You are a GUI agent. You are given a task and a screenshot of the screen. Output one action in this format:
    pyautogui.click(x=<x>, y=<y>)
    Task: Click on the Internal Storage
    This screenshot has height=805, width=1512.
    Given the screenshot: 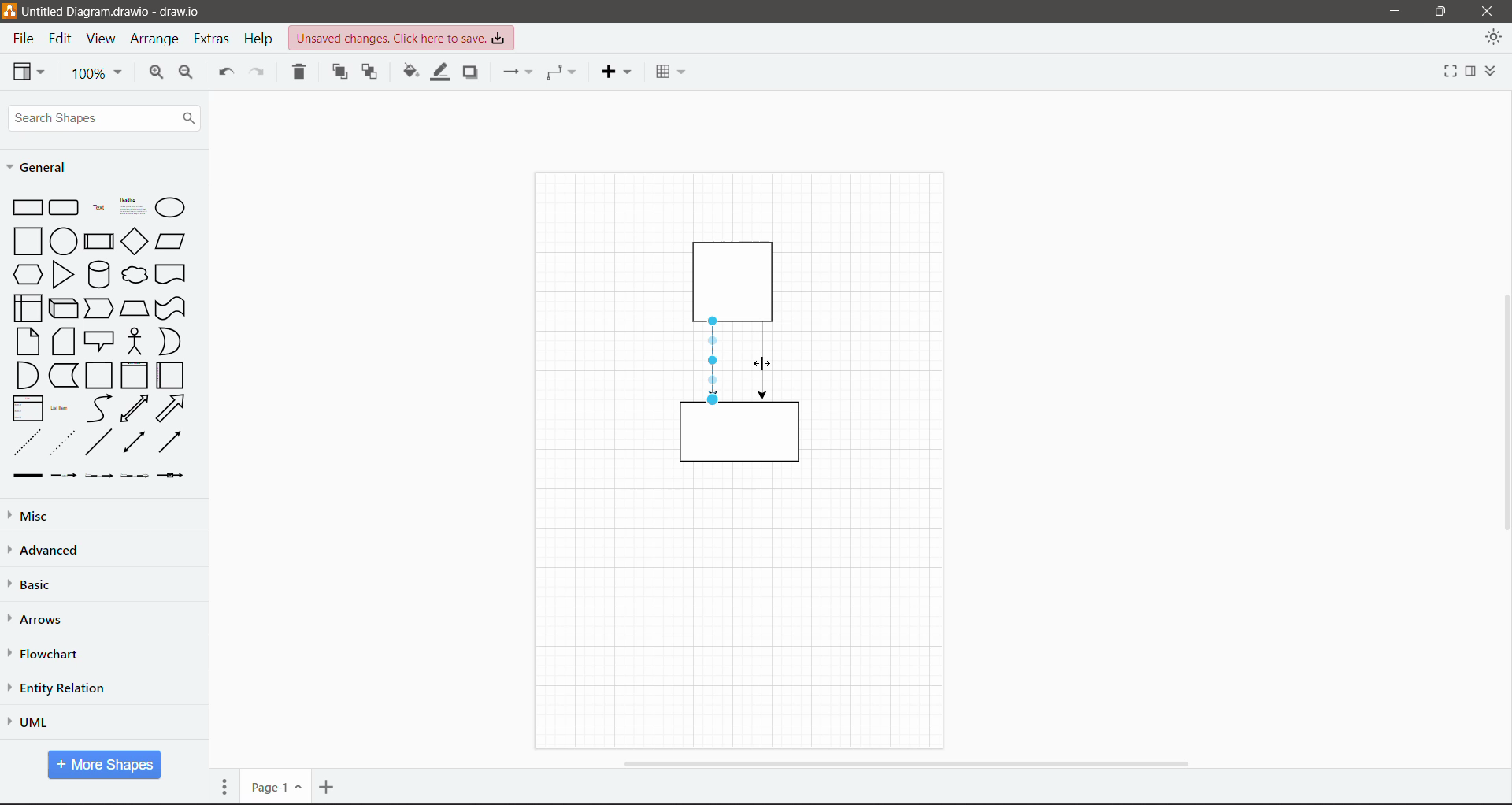 What is the action you would take?
    pyautogui.click(x=26, y=307)
    